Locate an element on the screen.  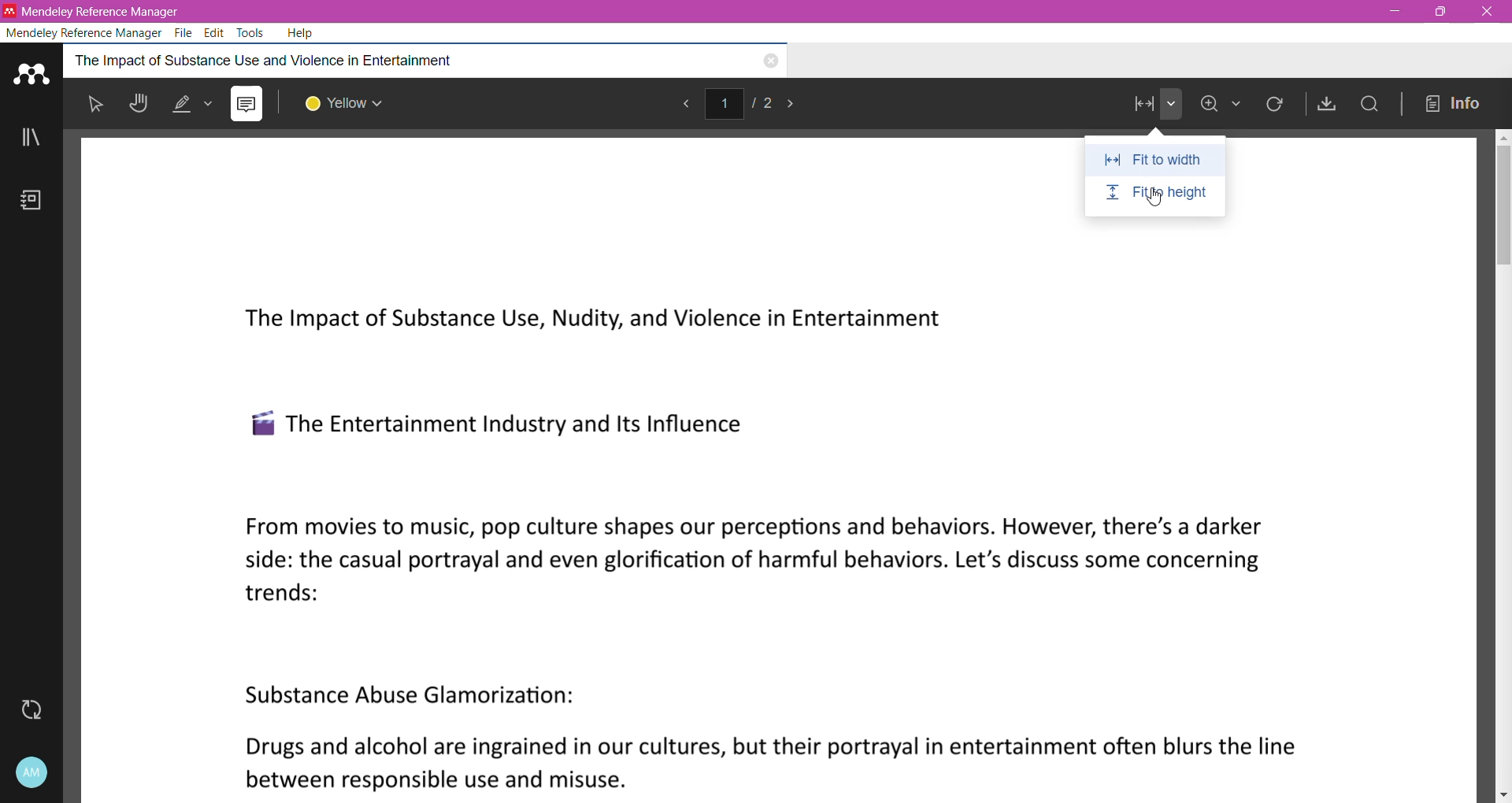
Last Sync is located at coordinates (38, 710).